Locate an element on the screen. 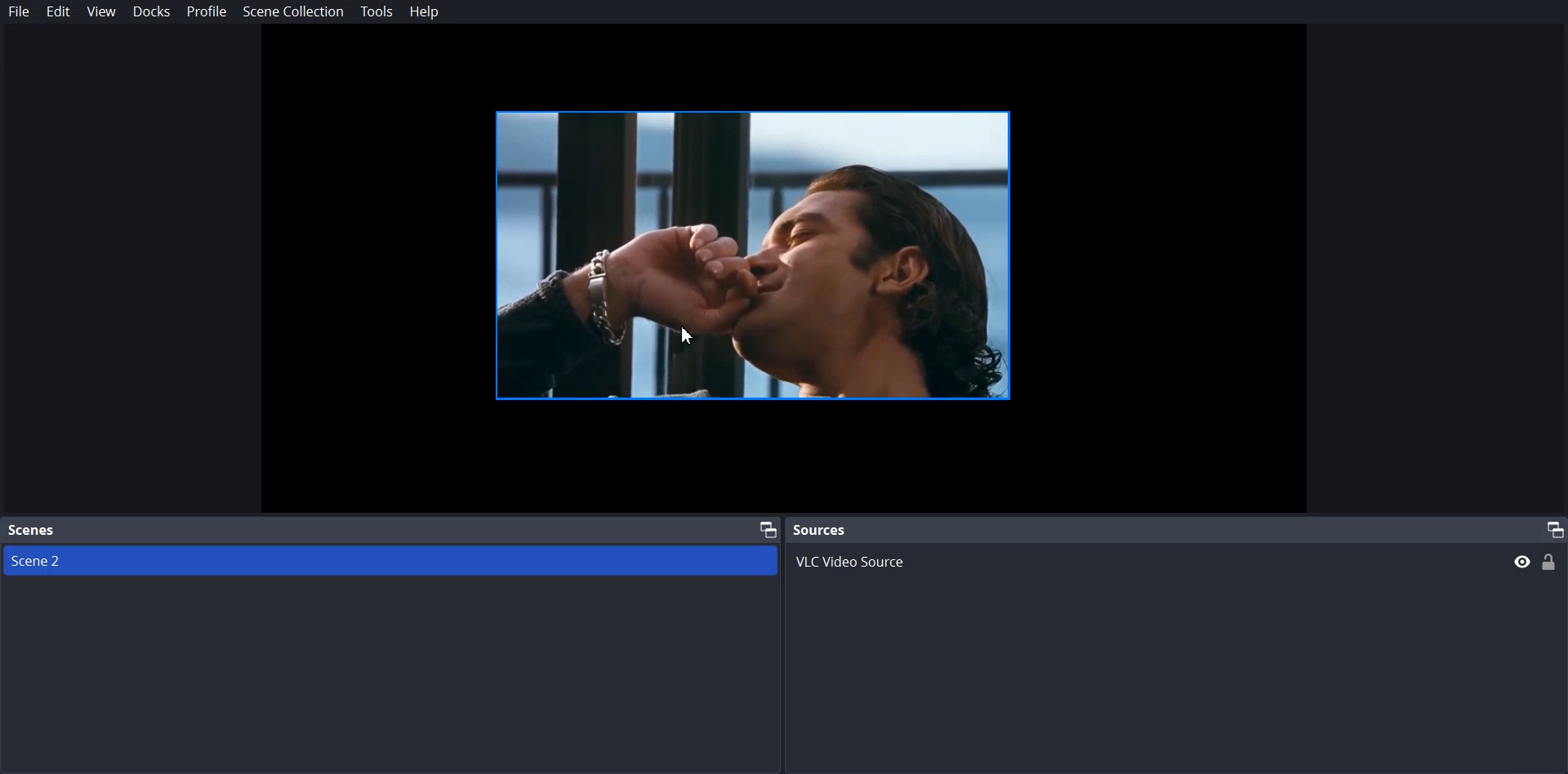 The image size is (1568, 774). Maximize is located at coordinates (764, 530).